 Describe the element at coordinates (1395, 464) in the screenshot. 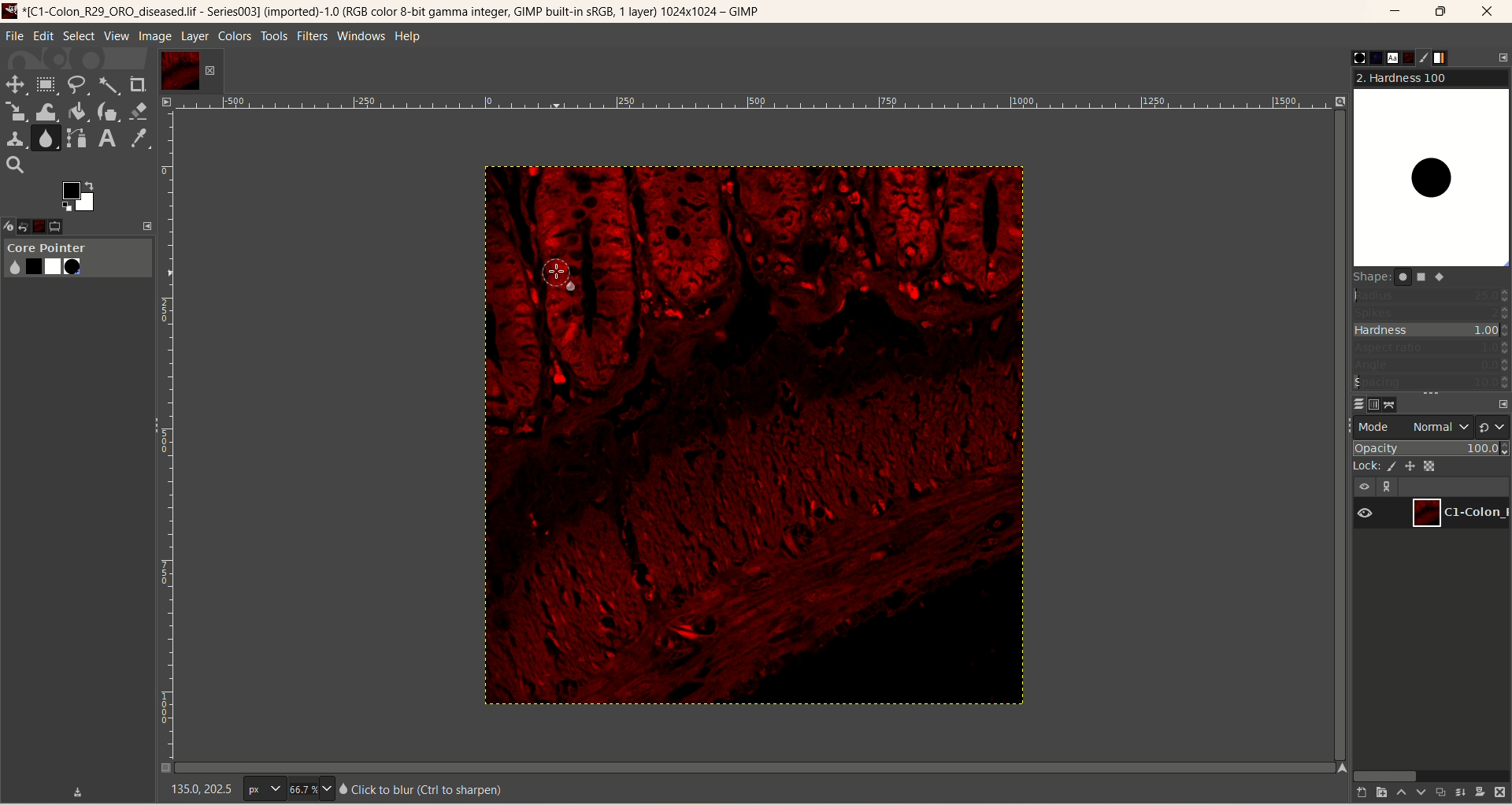

I see `lock pixel` at that location.